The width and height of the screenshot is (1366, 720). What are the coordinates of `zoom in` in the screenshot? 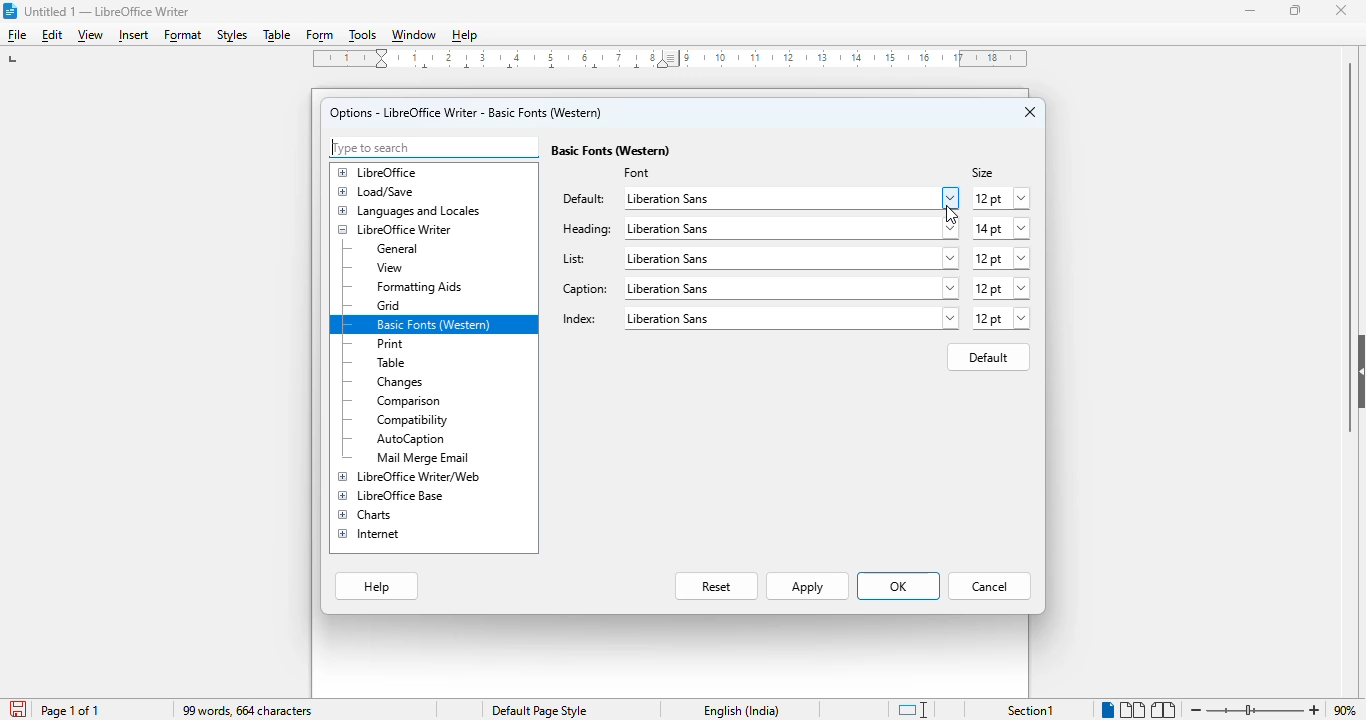 It's located at (1316, 709).